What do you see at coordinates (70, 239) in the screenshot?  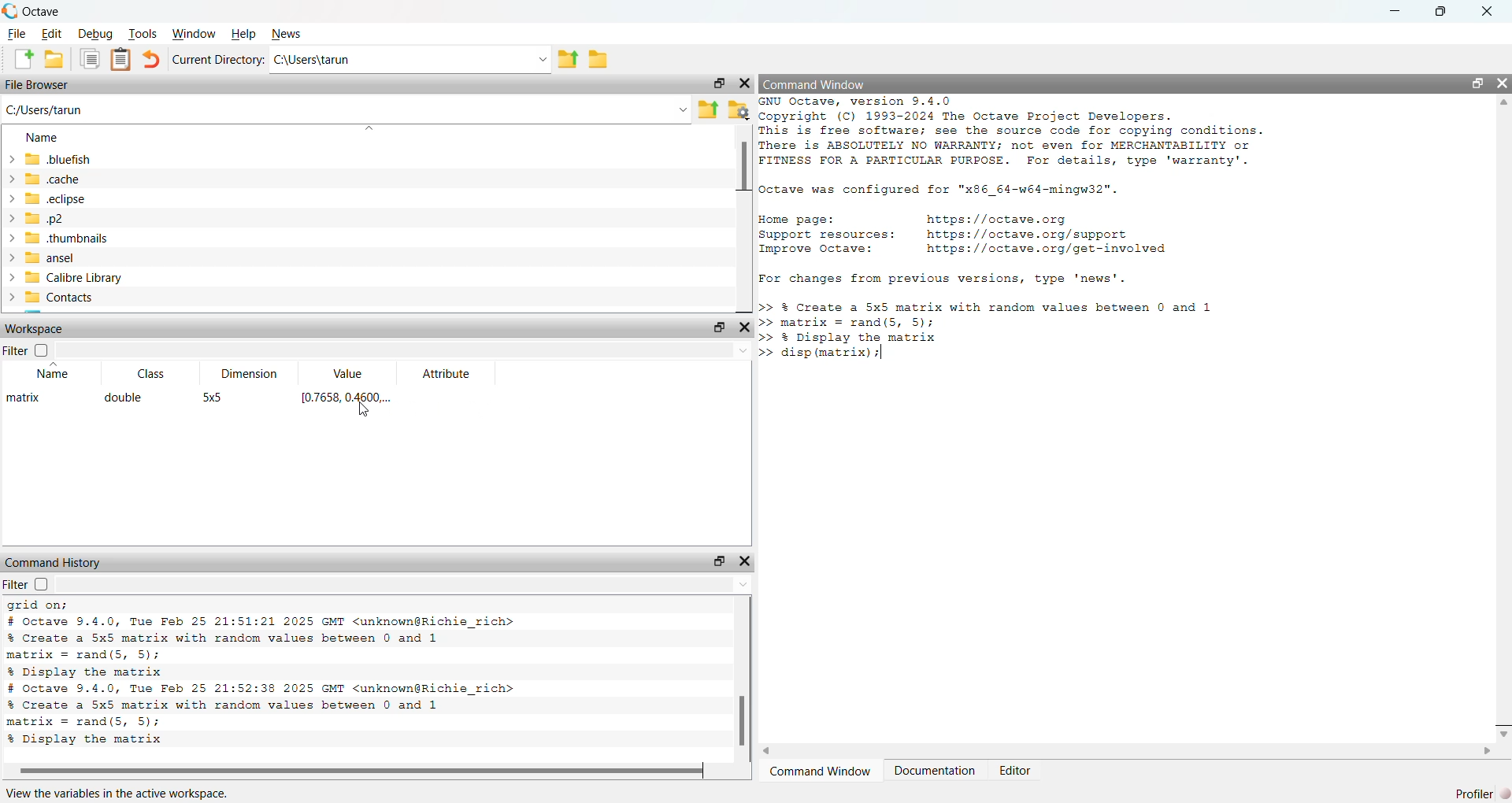 I see `thumbnails` at bounding box center [70, 239].